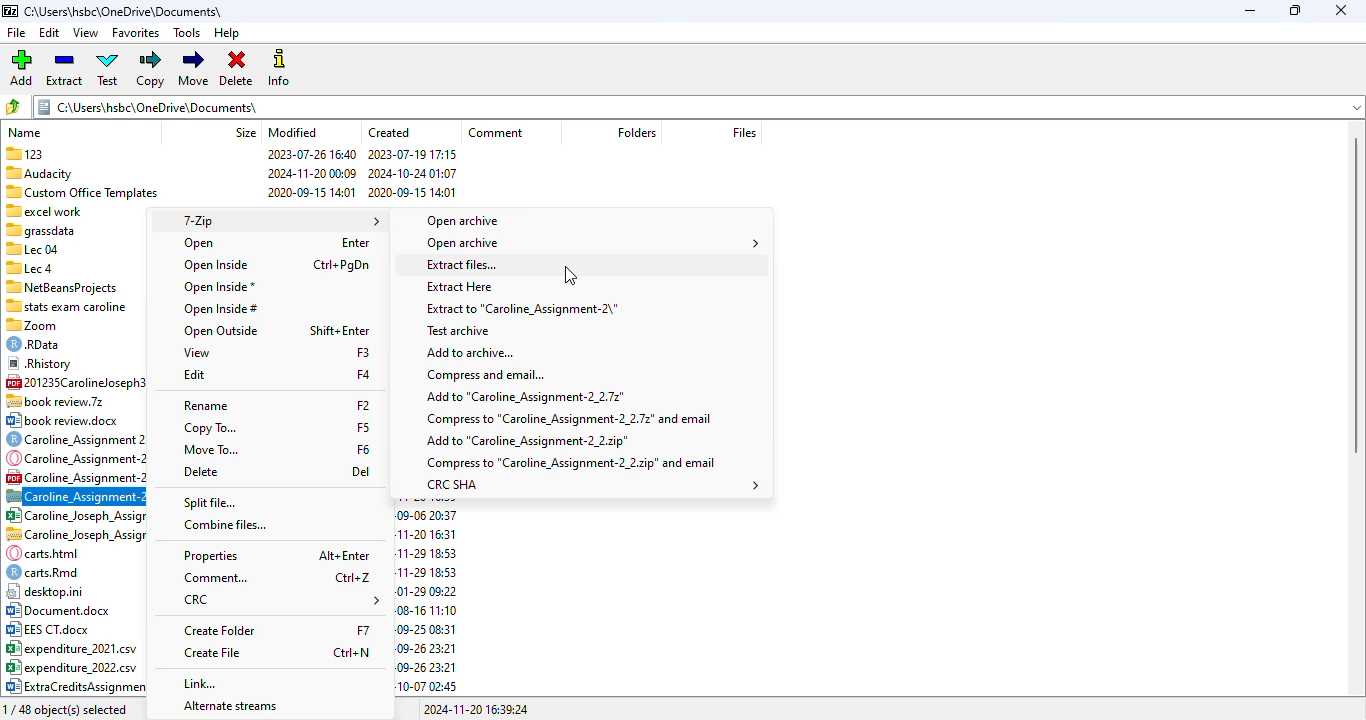 The image size is (1366, 720). What do you see at coordinates (463, 221) in the screenshot?
I see `open archive` at bounding box center [463, 221].